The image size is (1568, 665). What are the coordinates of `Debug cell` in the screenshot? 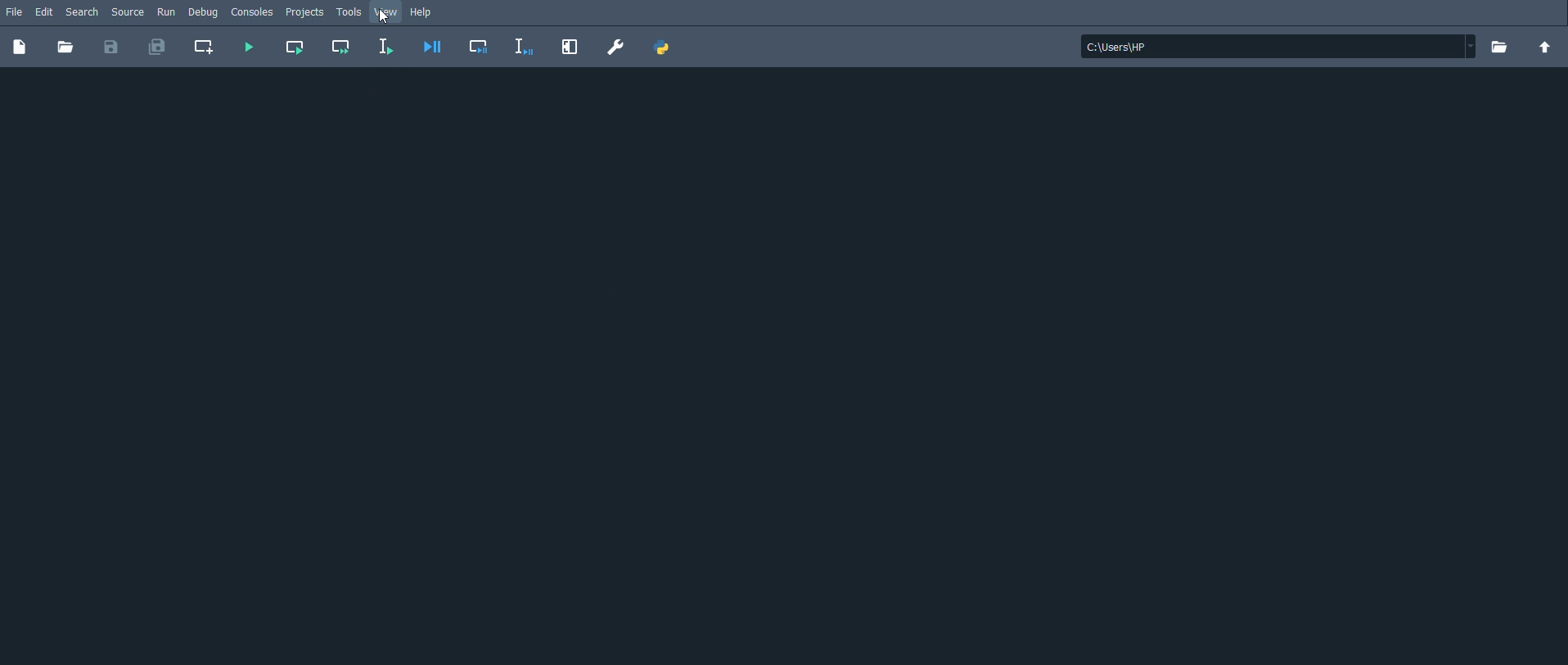 It's located at (480, 47).